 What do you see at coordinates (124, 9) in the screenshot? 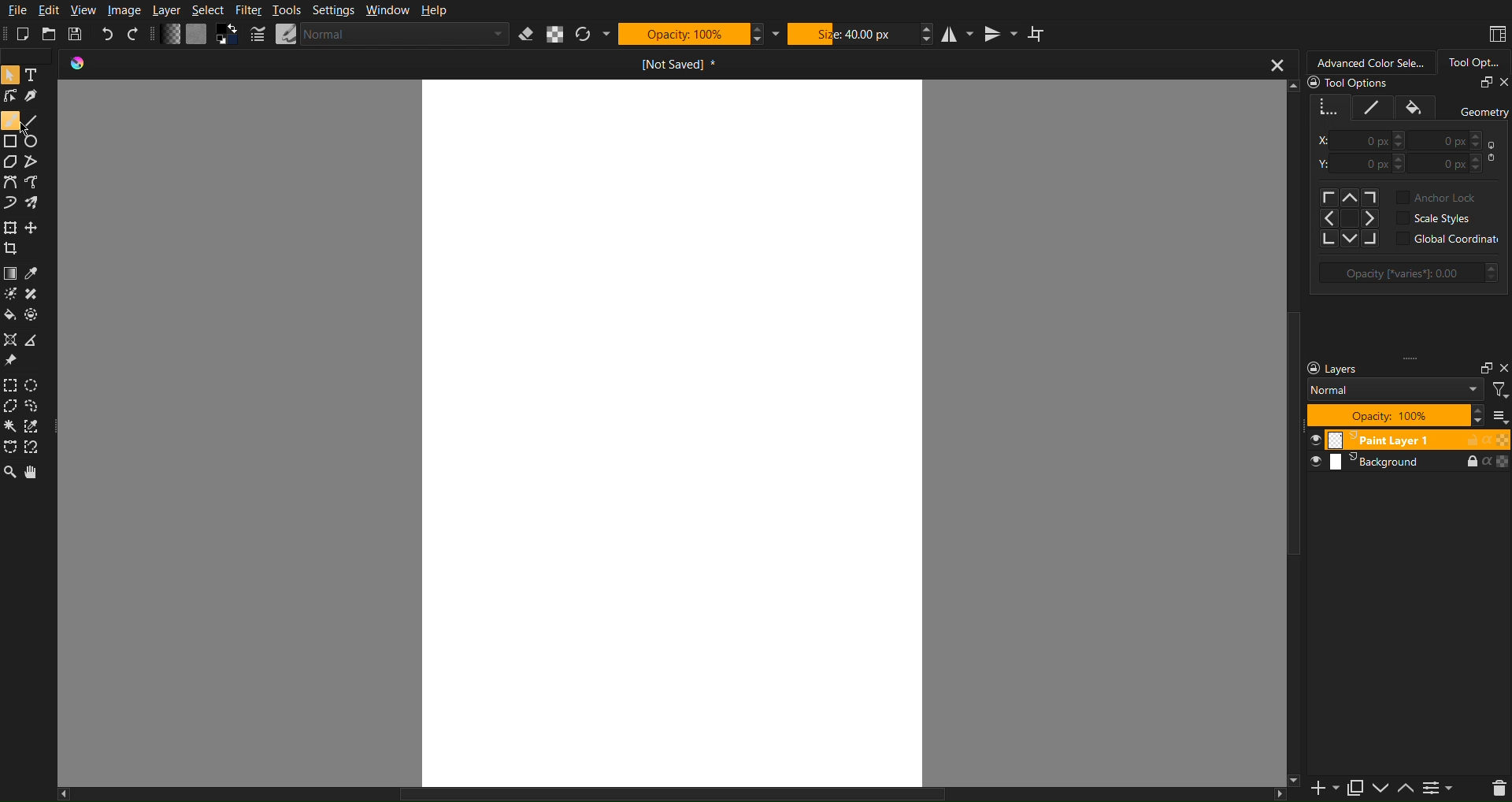
I see `Image` at bounding box center [124, 9].